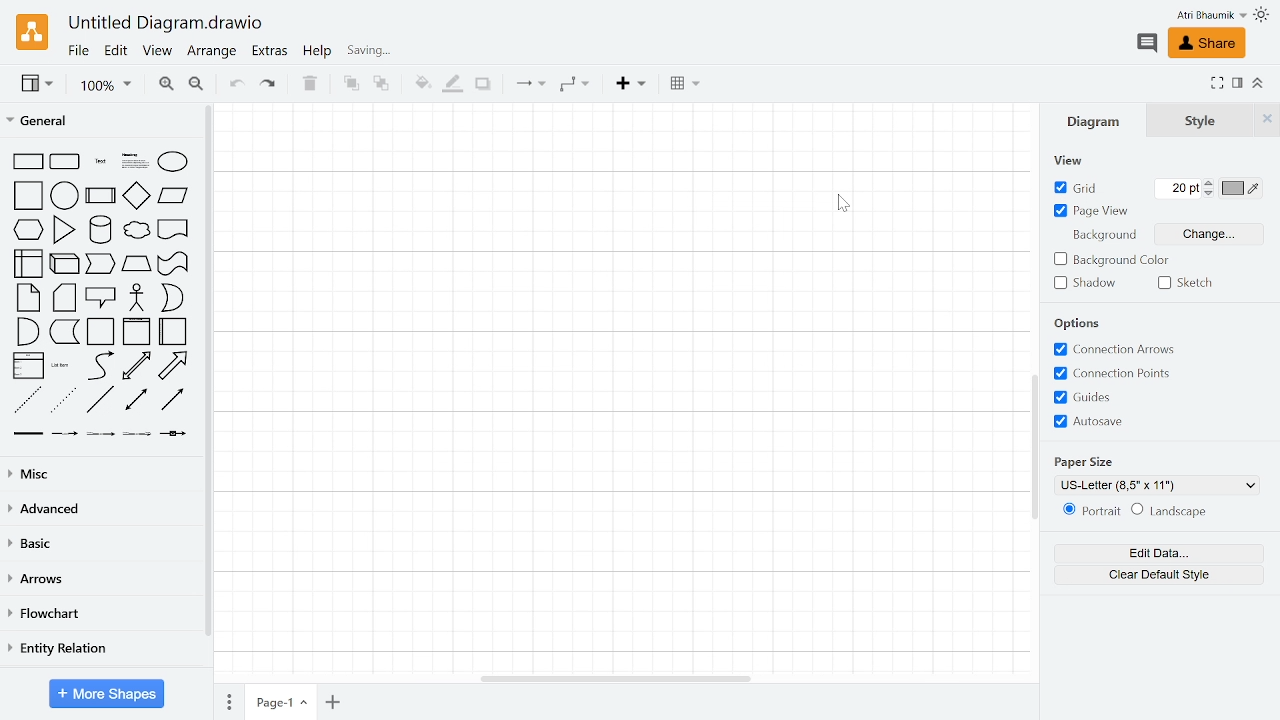  Describe the element at coordinates (48, 122) in the screenshot. I see `General` at that location.